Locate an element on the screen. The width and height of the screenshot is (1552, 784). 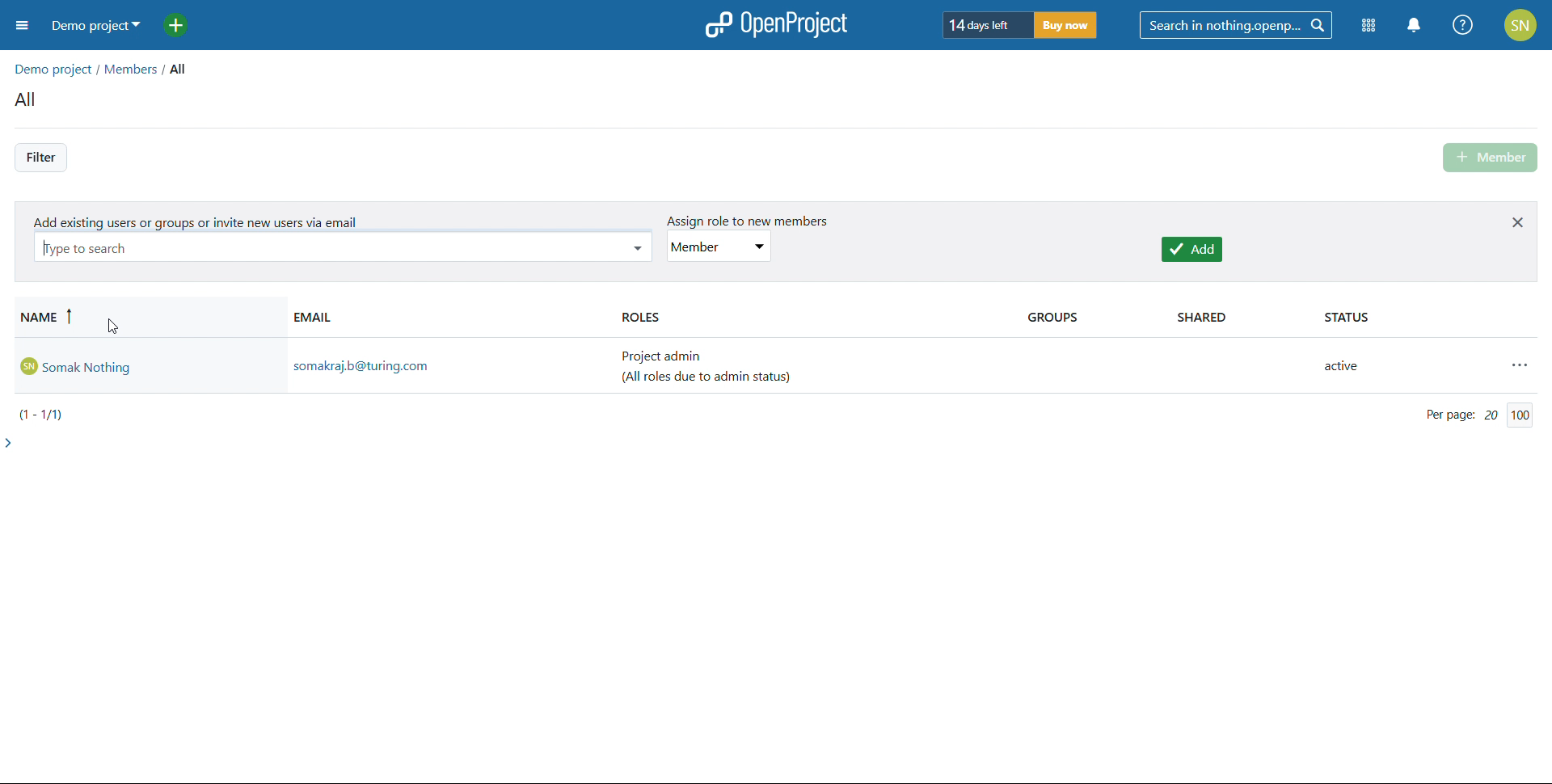
per page 20/200 is located at coordinates (1477, 415).